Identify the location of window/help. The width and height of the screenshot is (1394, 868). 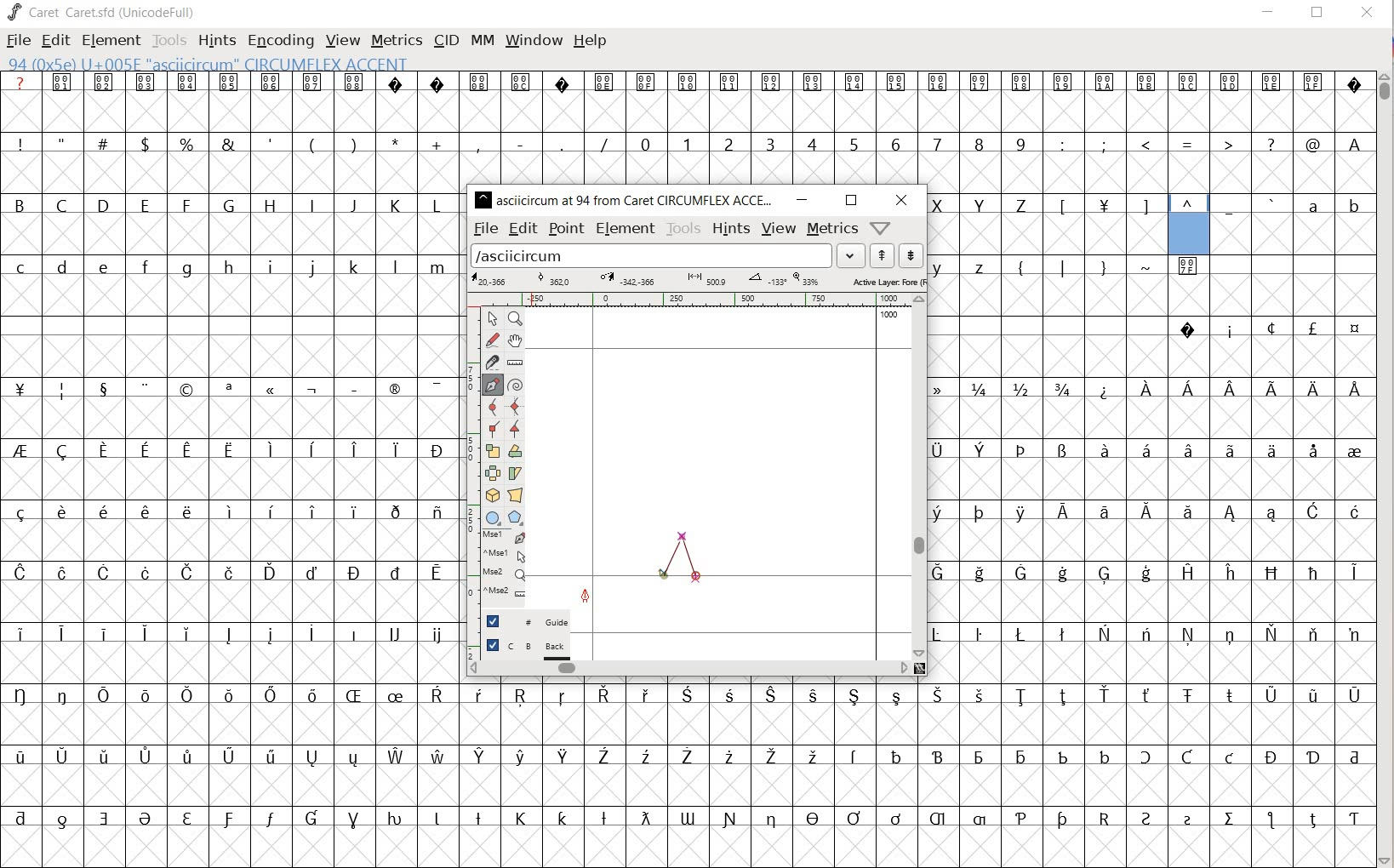
(878, 227).